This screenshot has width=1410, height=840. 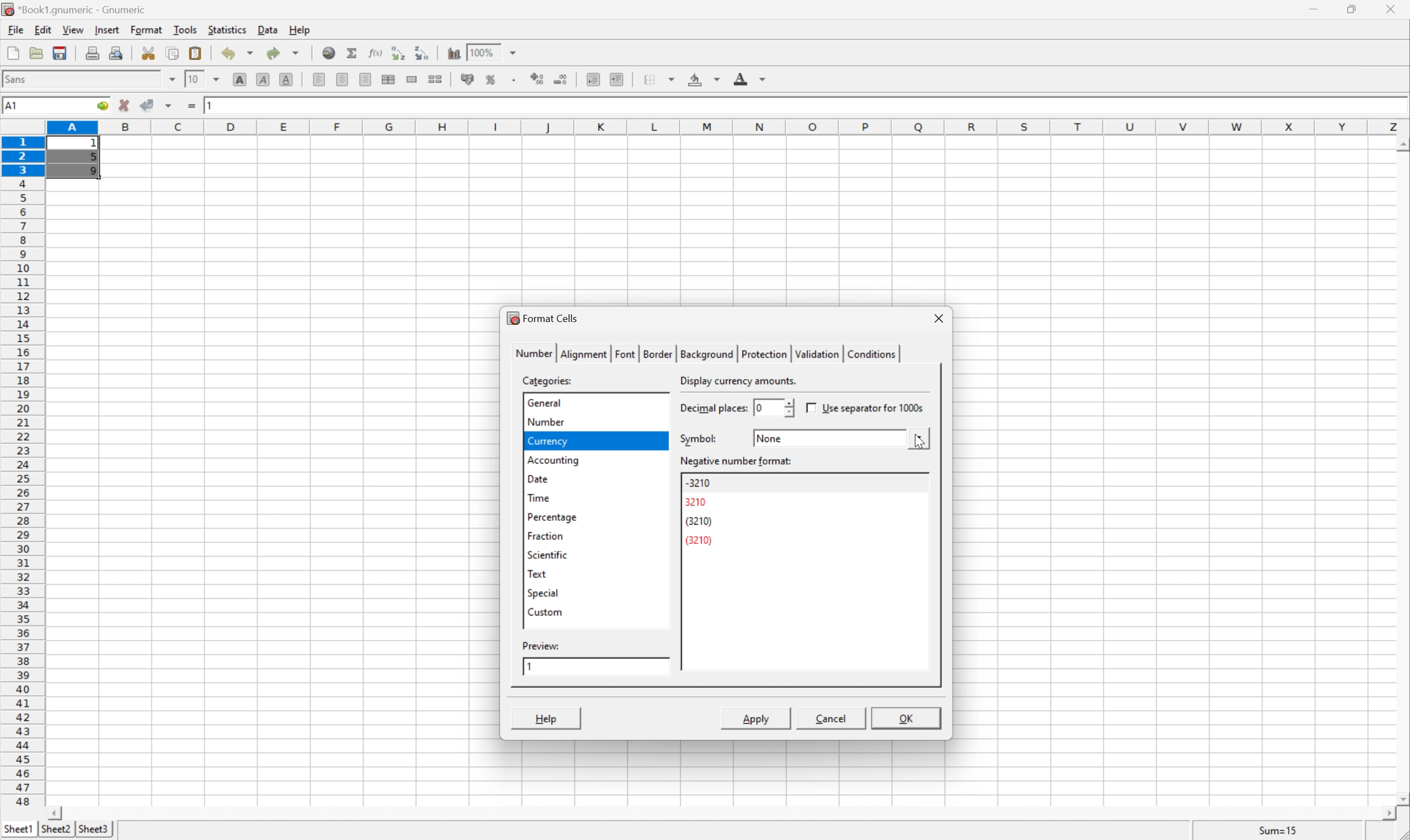 What do you see at coordinates (544, 421) in the screenshot?
I see `number` at bounding box center [544, 421].